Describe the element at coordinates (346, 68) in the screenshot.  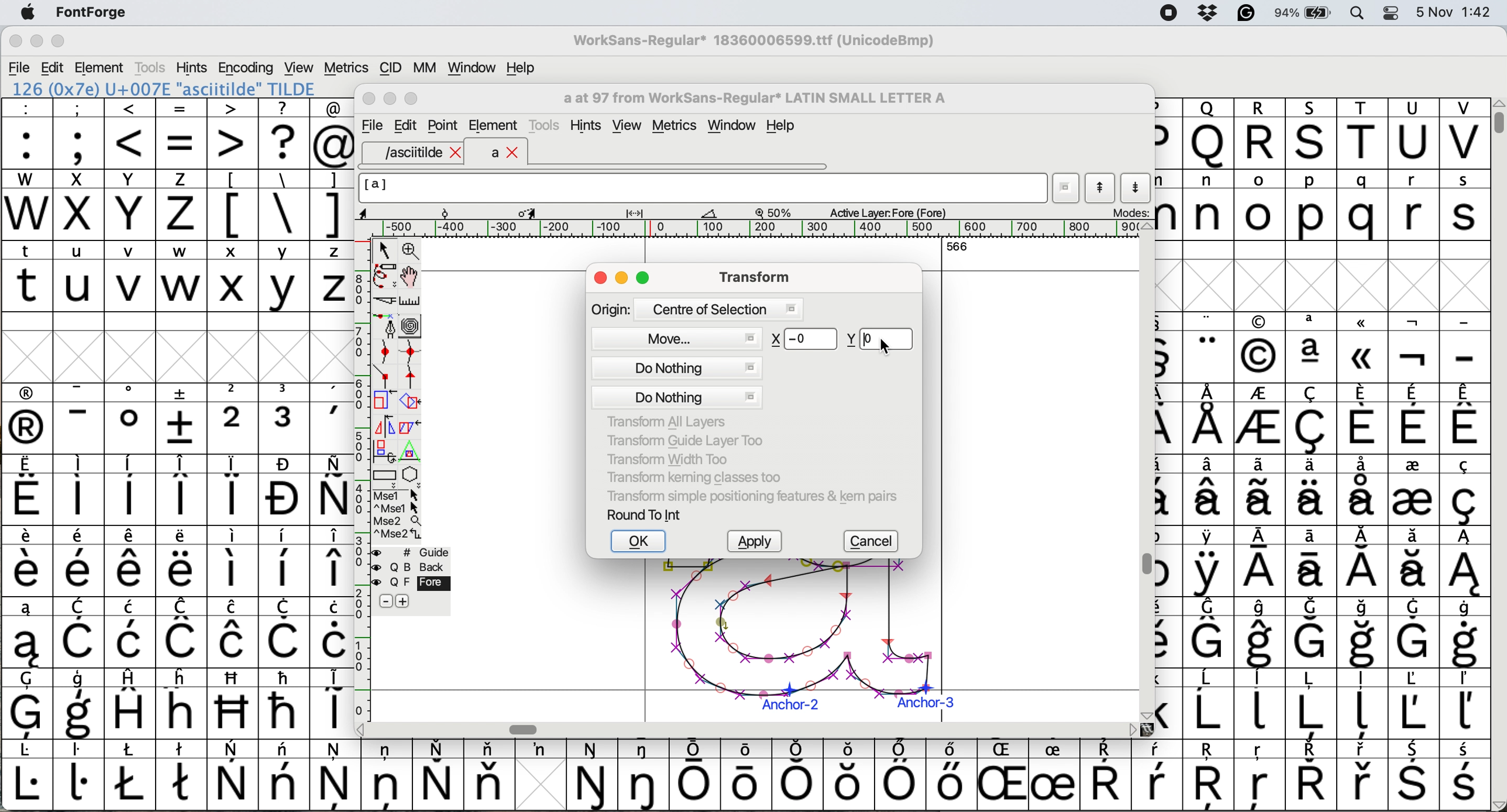
I see `metrics` at that location.